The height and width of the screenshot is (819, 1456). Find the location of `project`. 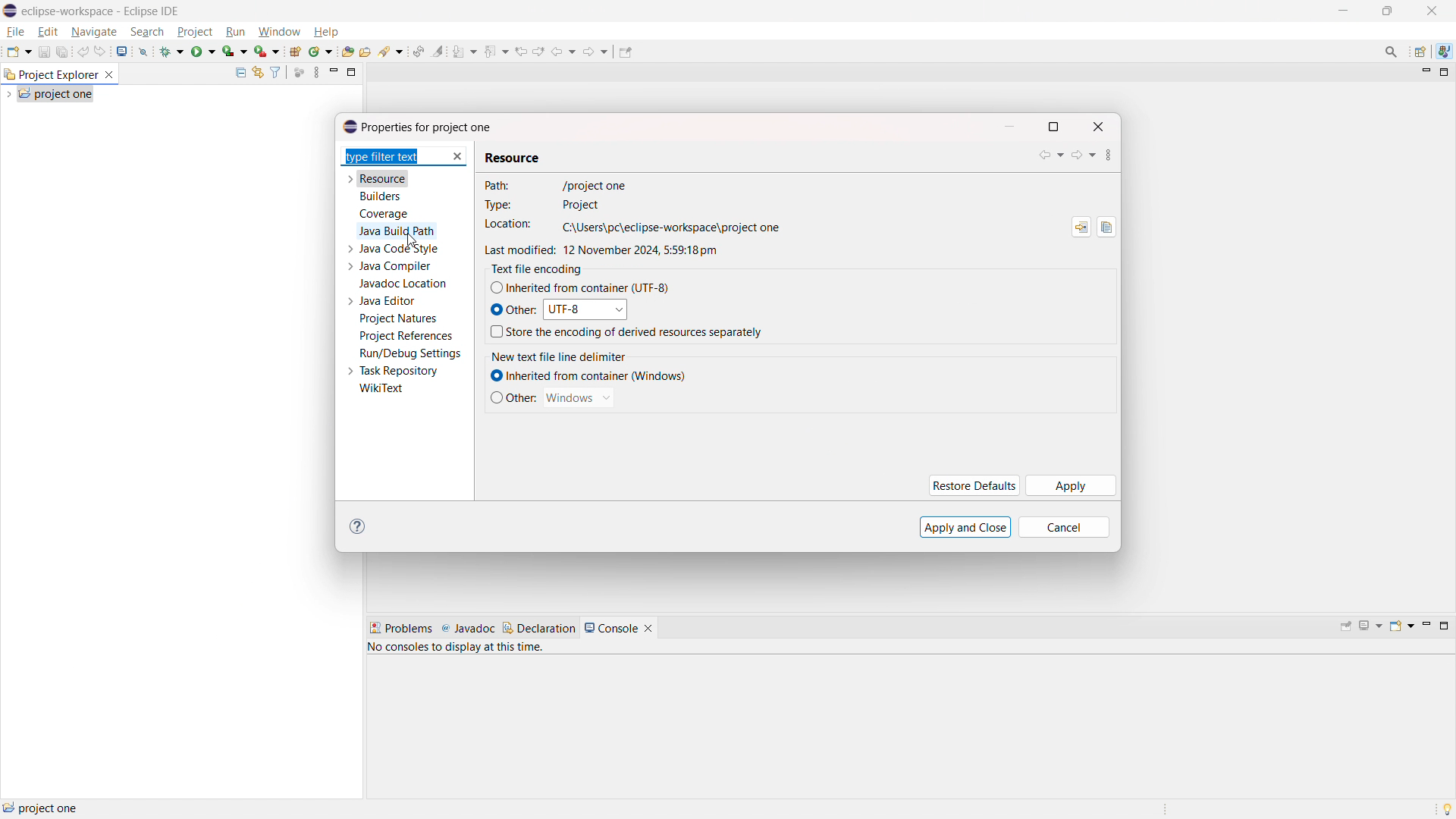

project is located at coordinates (195, 32).